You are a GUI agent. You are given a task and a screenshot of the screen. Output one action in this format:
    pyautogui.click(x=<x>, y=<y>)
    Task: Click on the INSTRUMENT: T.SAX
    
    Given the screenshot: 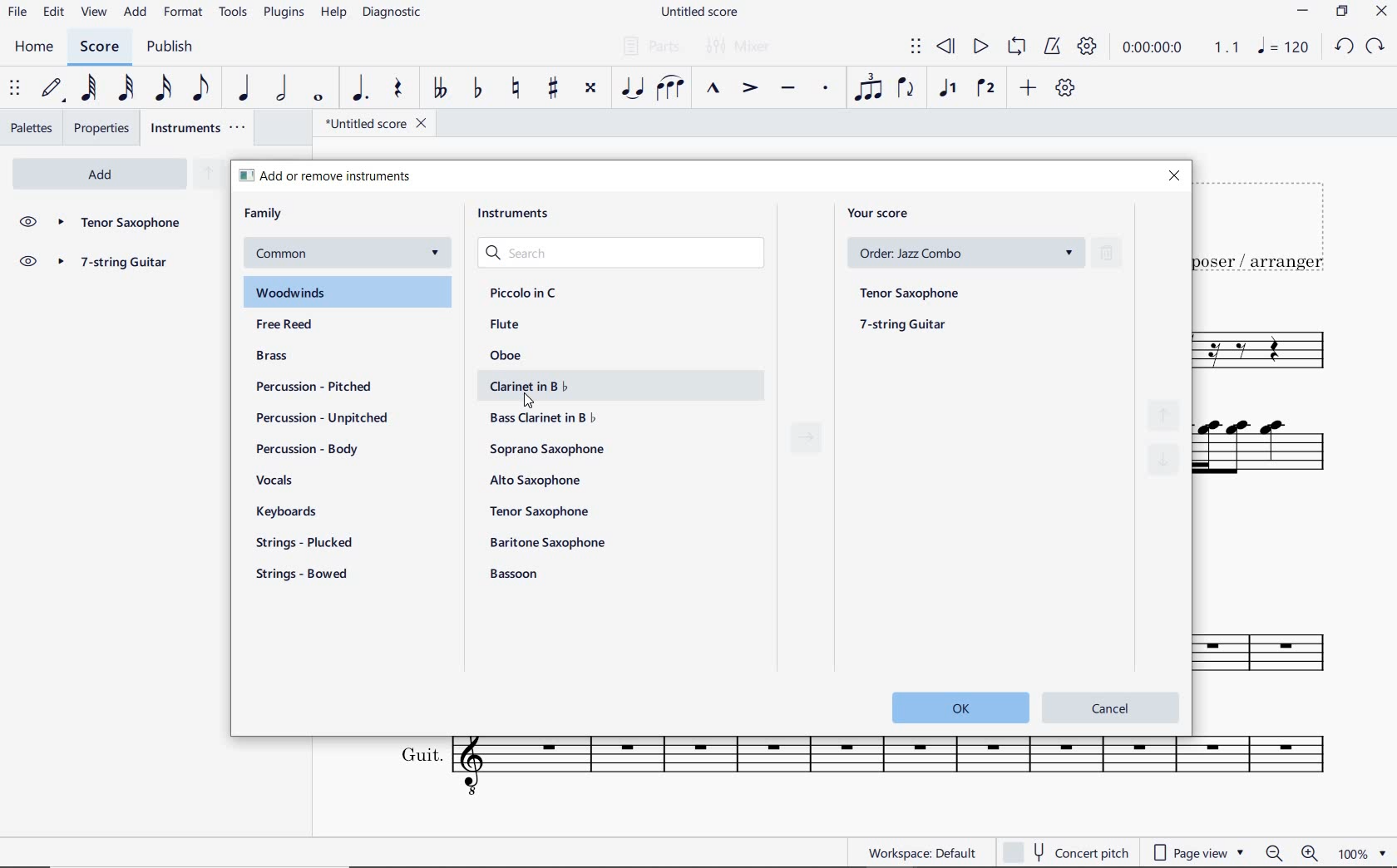 What is the action you would take?
    pyautogui.click(x=1273, y=640)
    